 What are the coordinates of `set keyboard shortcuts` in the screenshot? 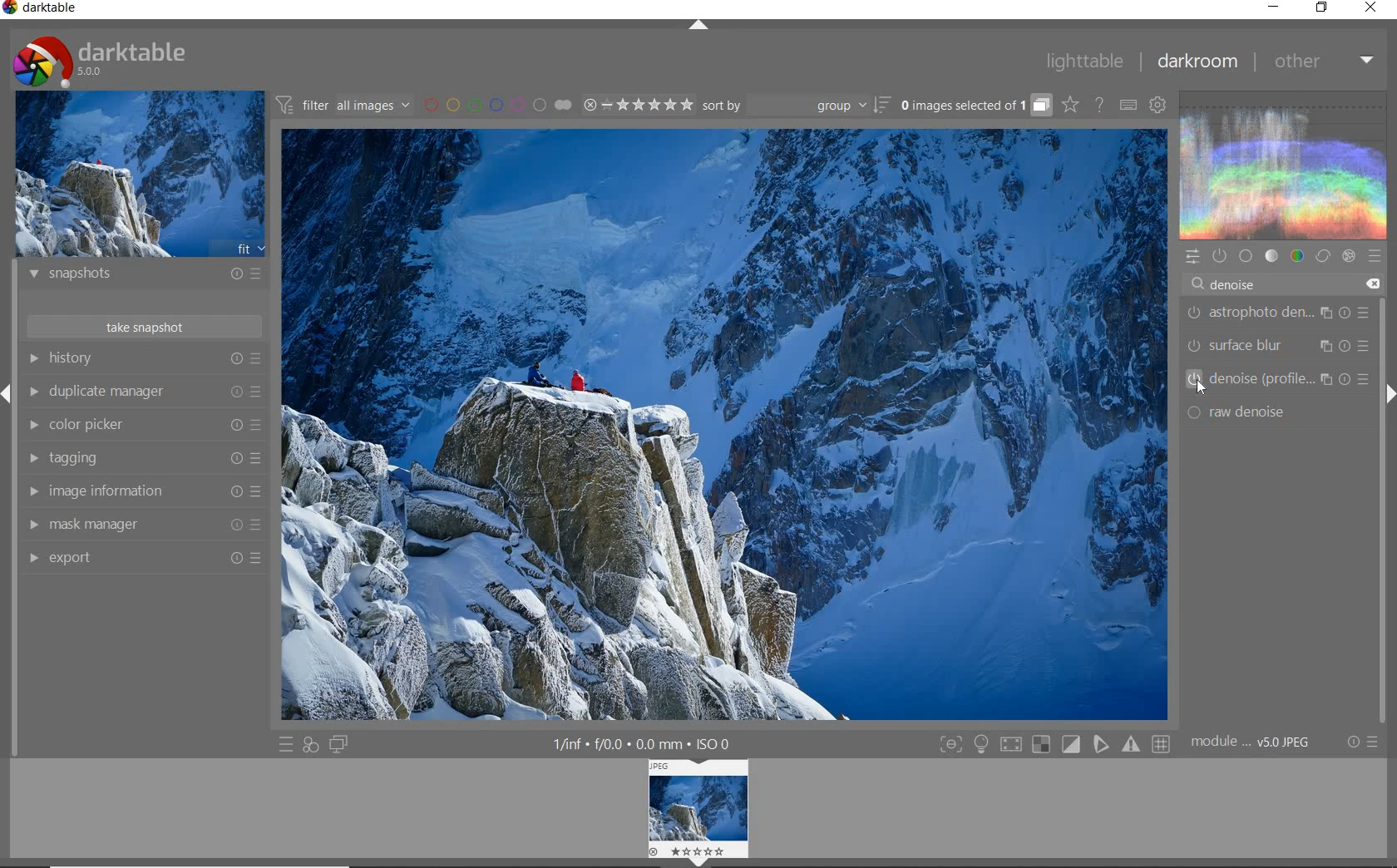 It's located at (1128, 105).